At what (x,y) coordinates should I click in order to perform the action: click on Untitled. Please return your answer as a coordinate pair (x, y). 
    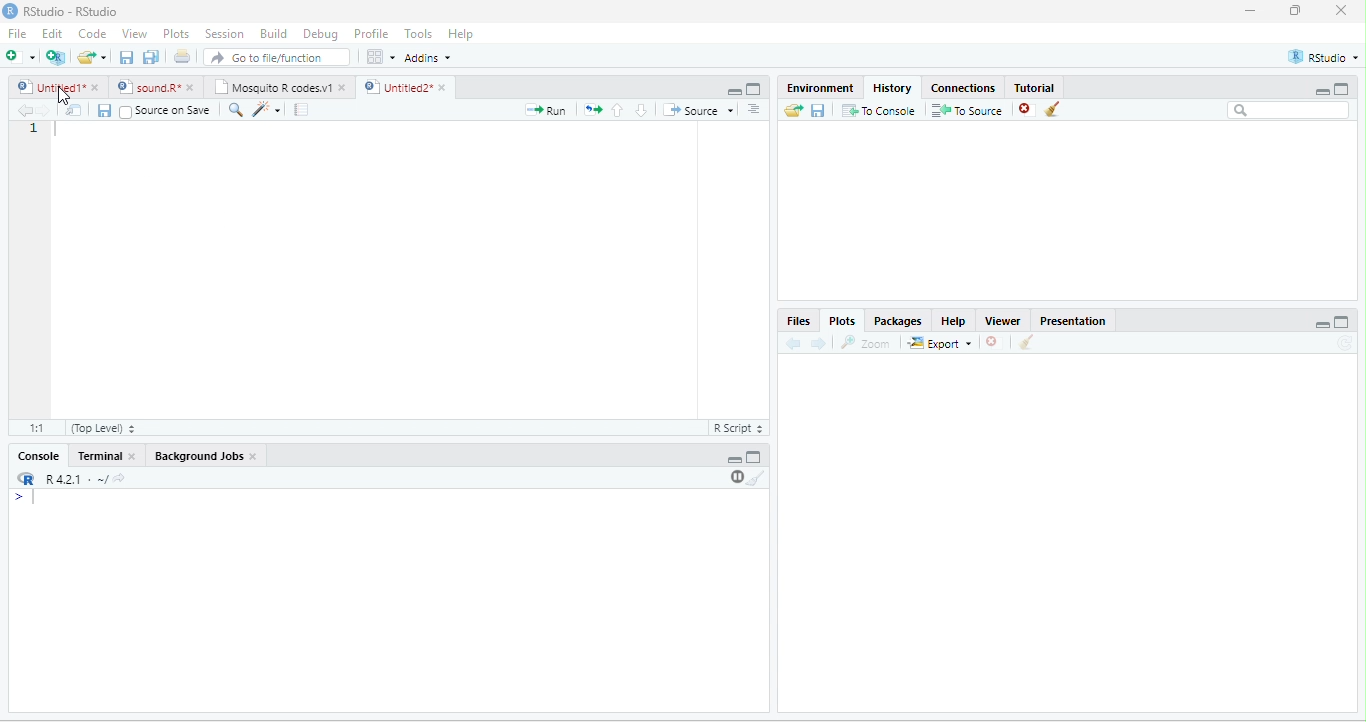
    Looking at the image, I should click on (49, 87).